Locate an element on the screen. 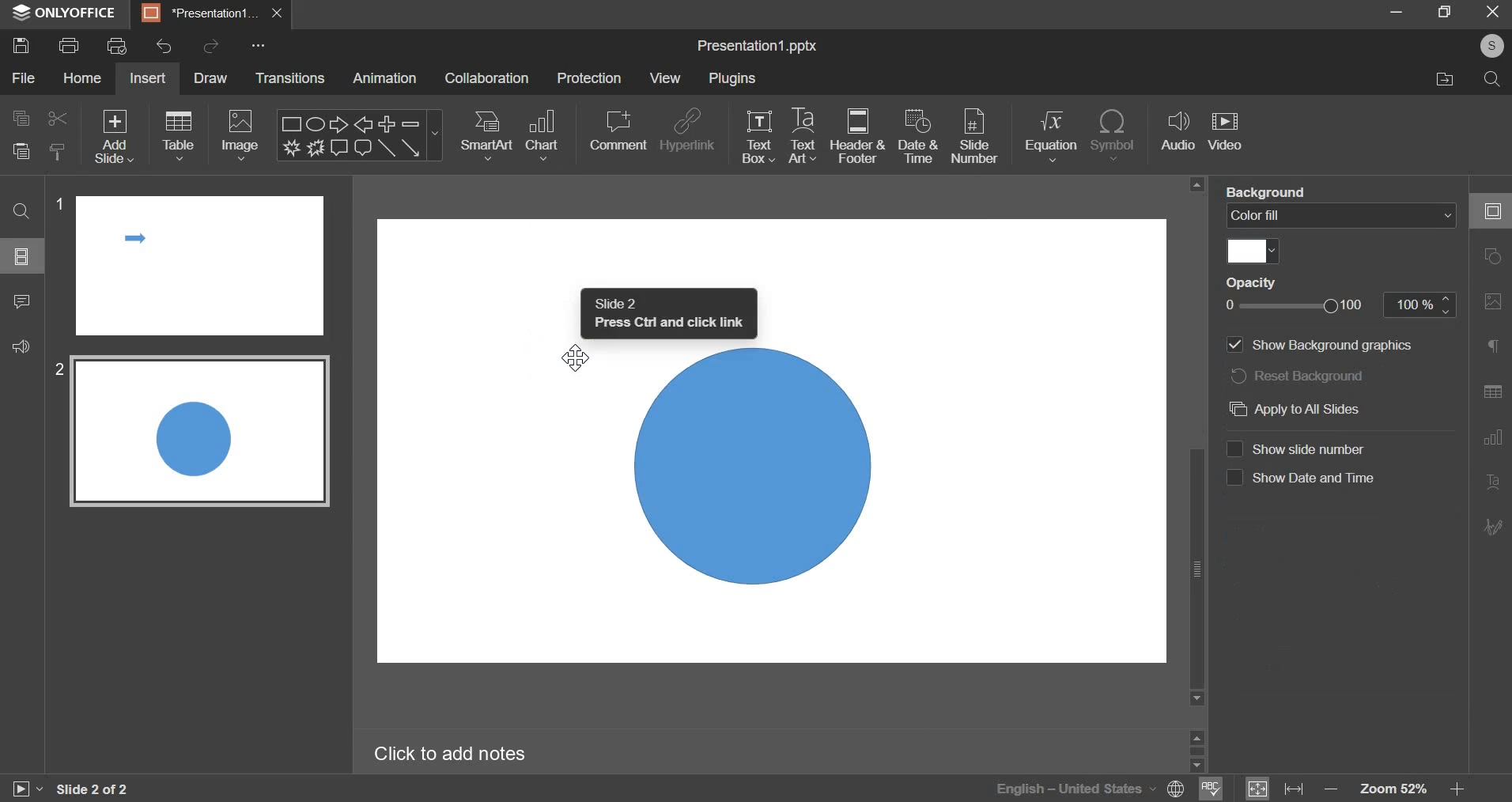 The image size is (1512, 802). plugins is located at coordinates (733, 78).